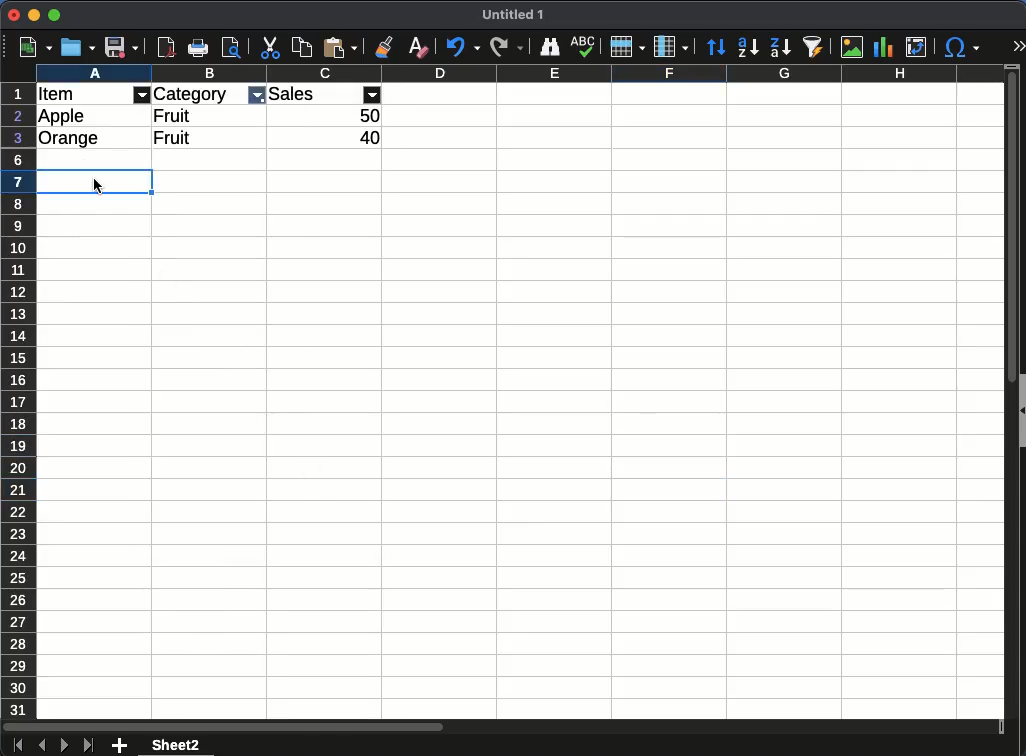  Describe the element at coordinates (42, 745) in the screenshot. I see `previous sheet` at that location.